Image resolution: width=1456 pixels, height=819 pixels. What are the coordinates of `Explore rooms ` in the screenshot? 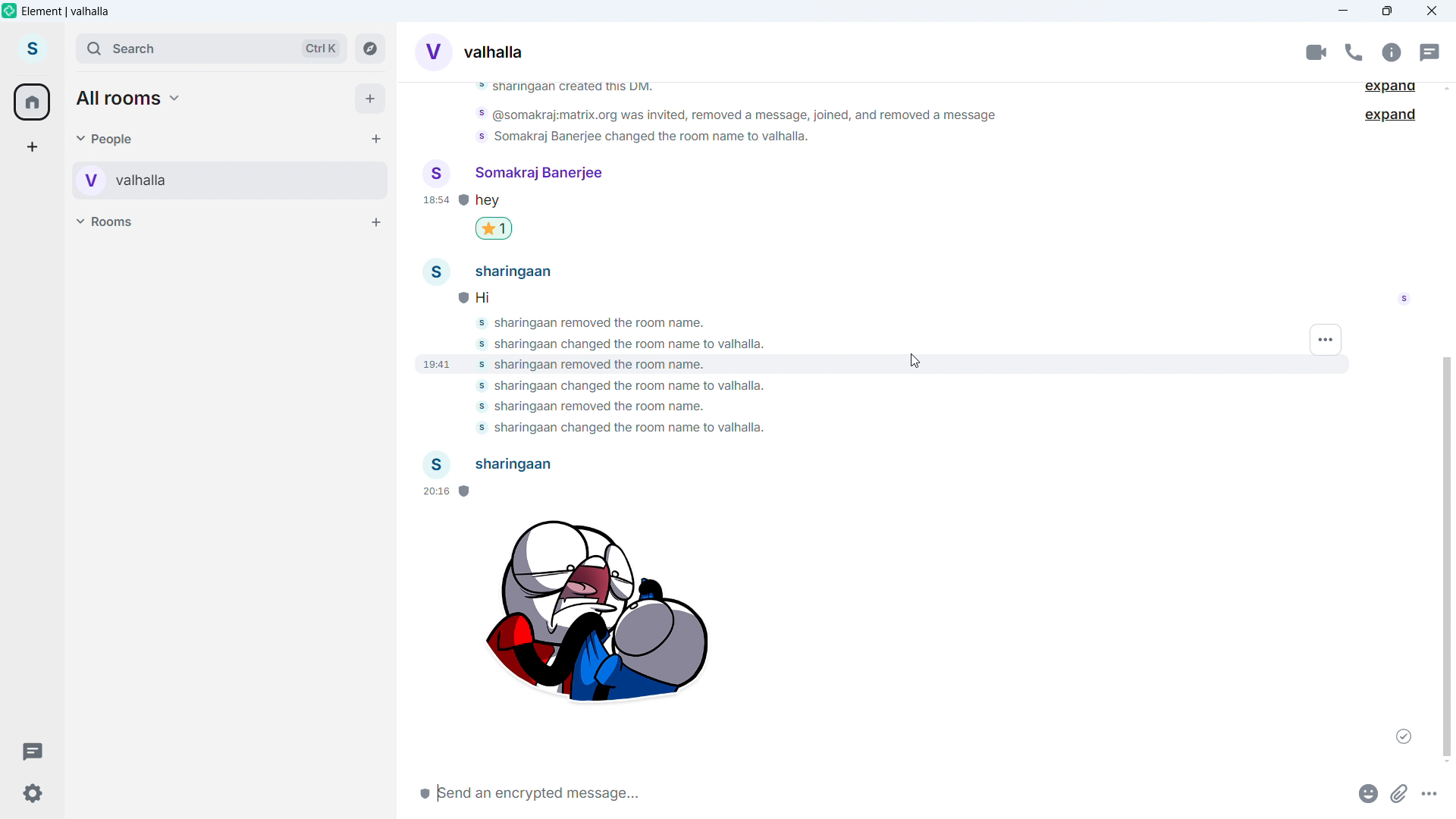 It's located at (370, 49).